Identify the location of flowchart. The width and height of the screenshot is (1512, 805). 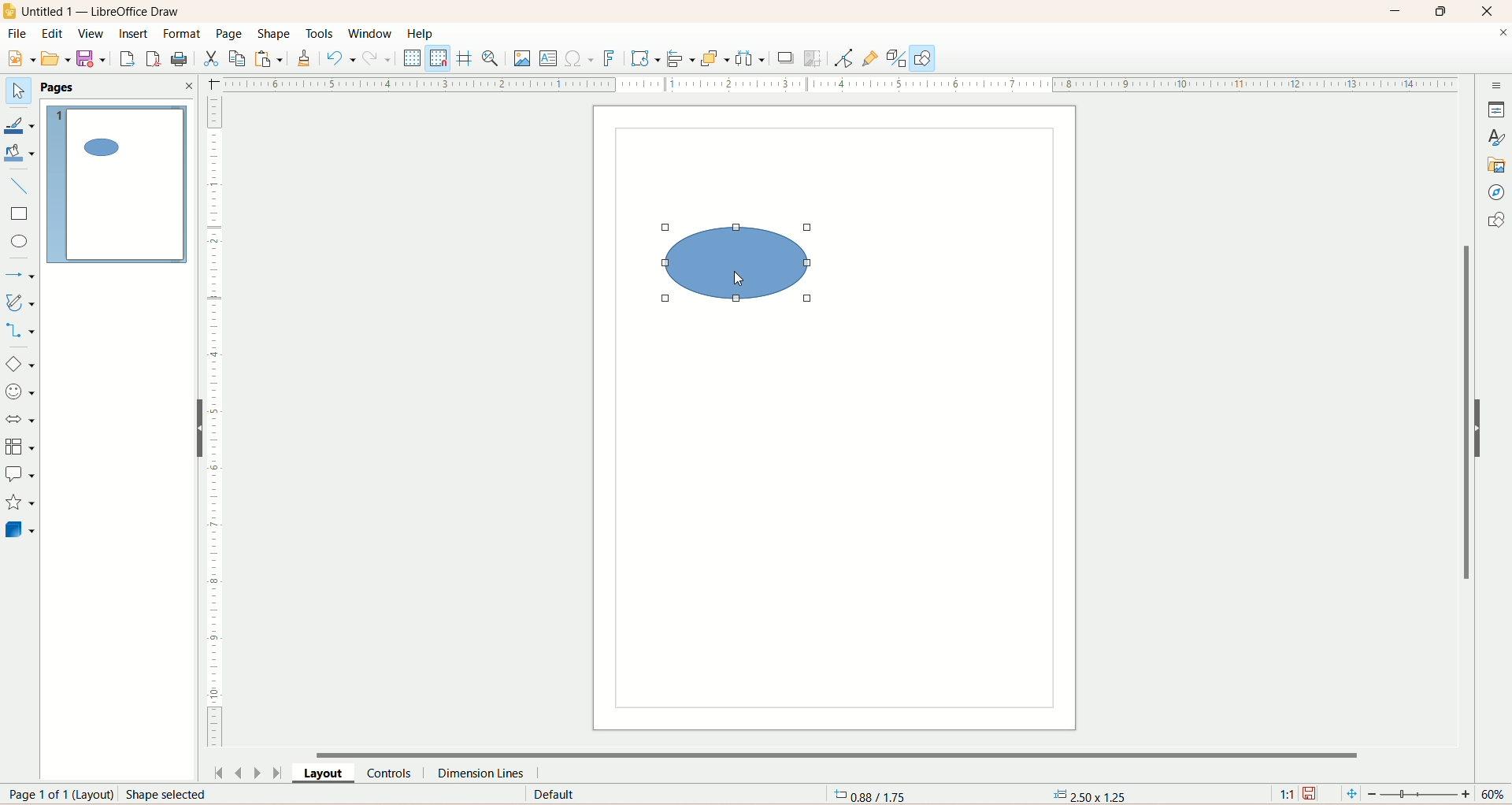
(20, 445).